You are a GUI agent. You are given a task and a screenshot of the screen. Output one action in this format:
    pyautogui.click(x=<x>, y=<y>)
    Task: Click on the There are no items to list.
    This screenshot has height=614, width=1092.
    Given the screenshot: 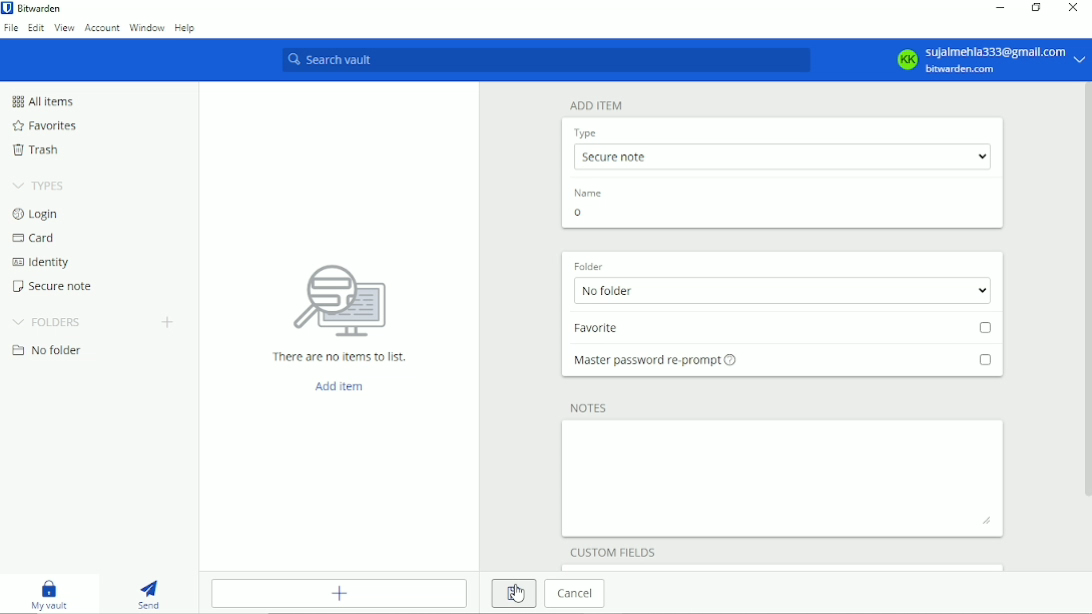 What is the action you would take?
    pyautogui.click(x=341, y=310)
    